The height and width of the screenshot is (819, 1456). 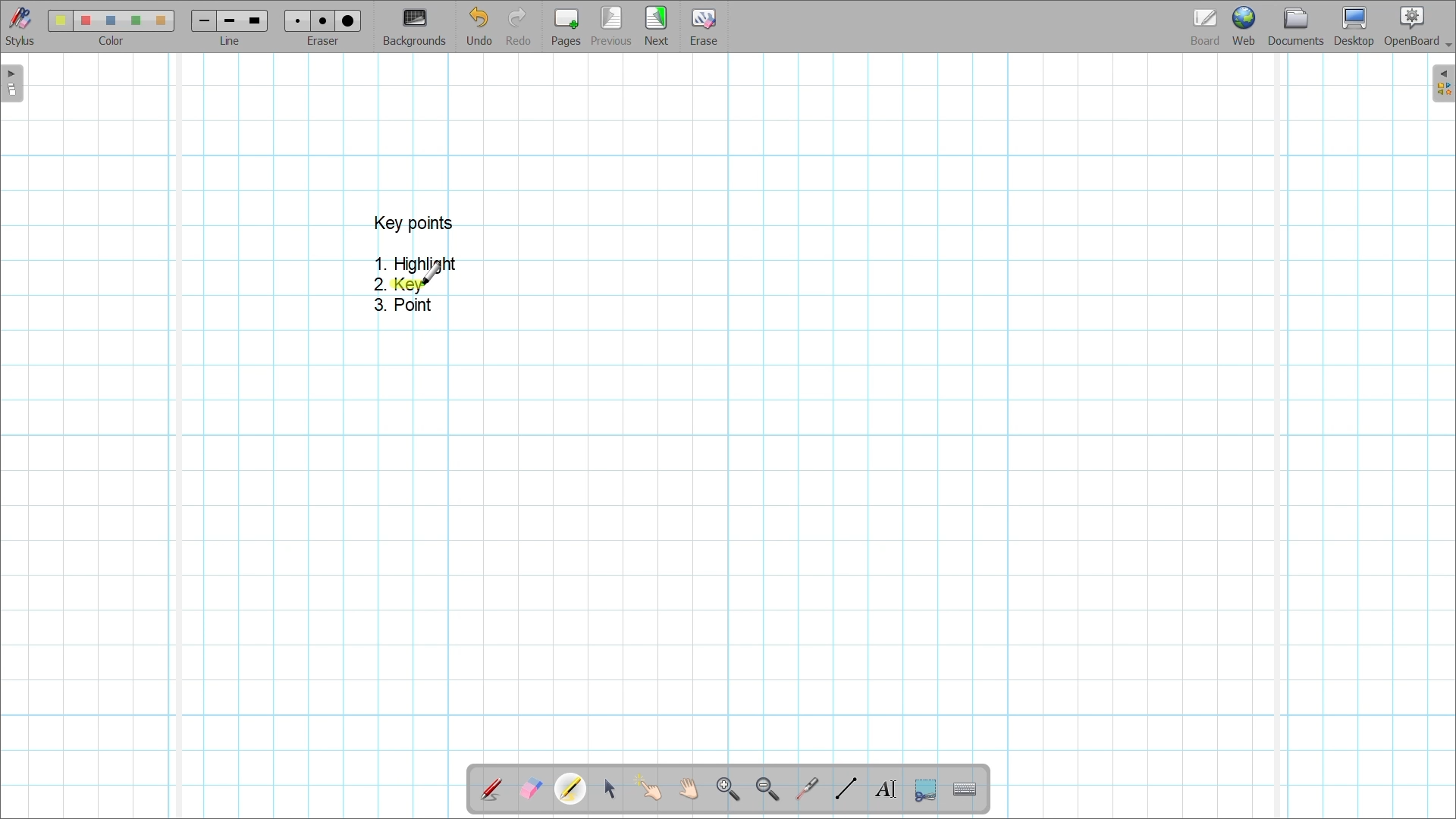 What do you see at coordinates (965, 789) in the screenshot?
I see `Display virtual keyboard` at bounding box center [965, 789].